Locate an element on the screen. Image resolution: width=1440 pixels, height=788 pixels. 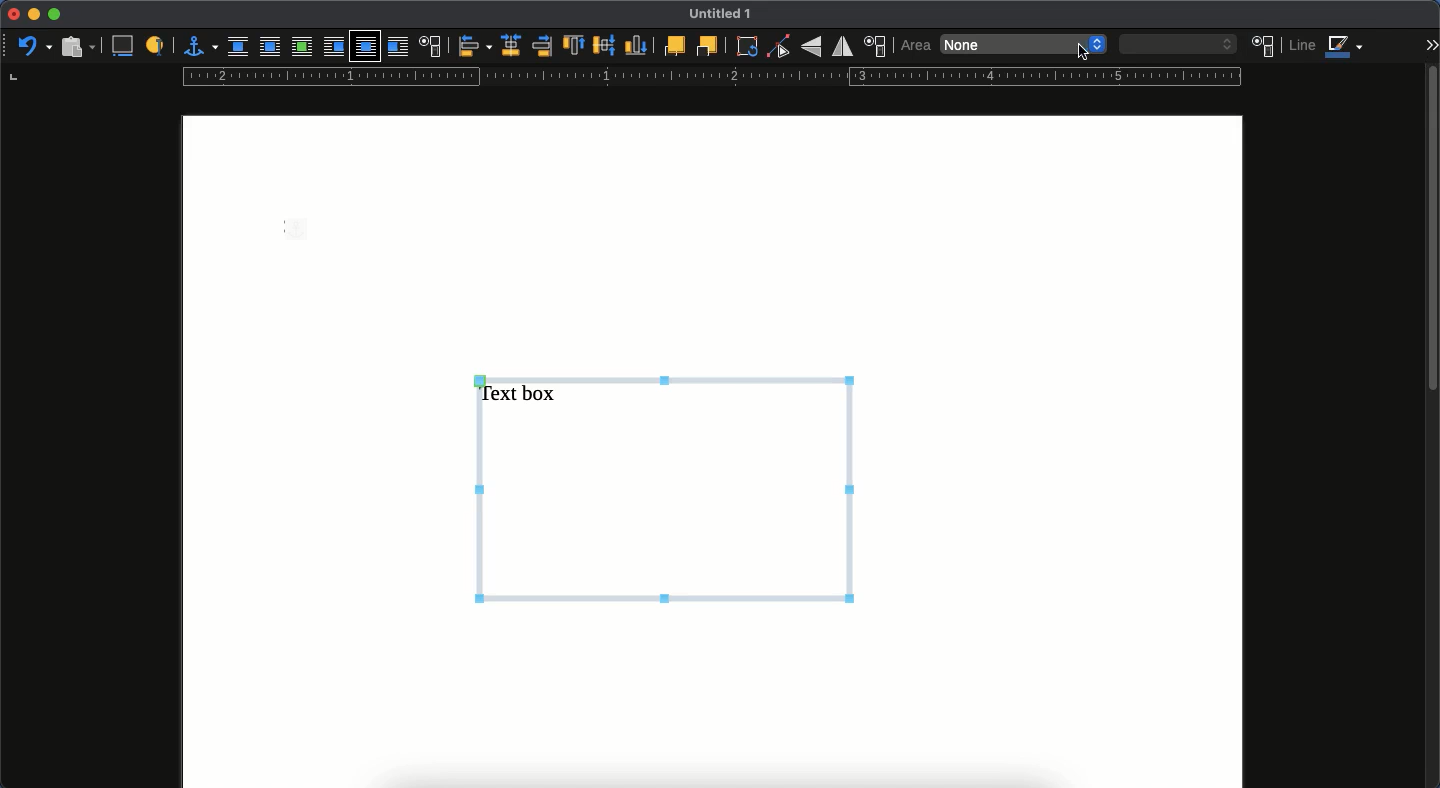
rotate horizontally  is located at coordinates (843, 46).